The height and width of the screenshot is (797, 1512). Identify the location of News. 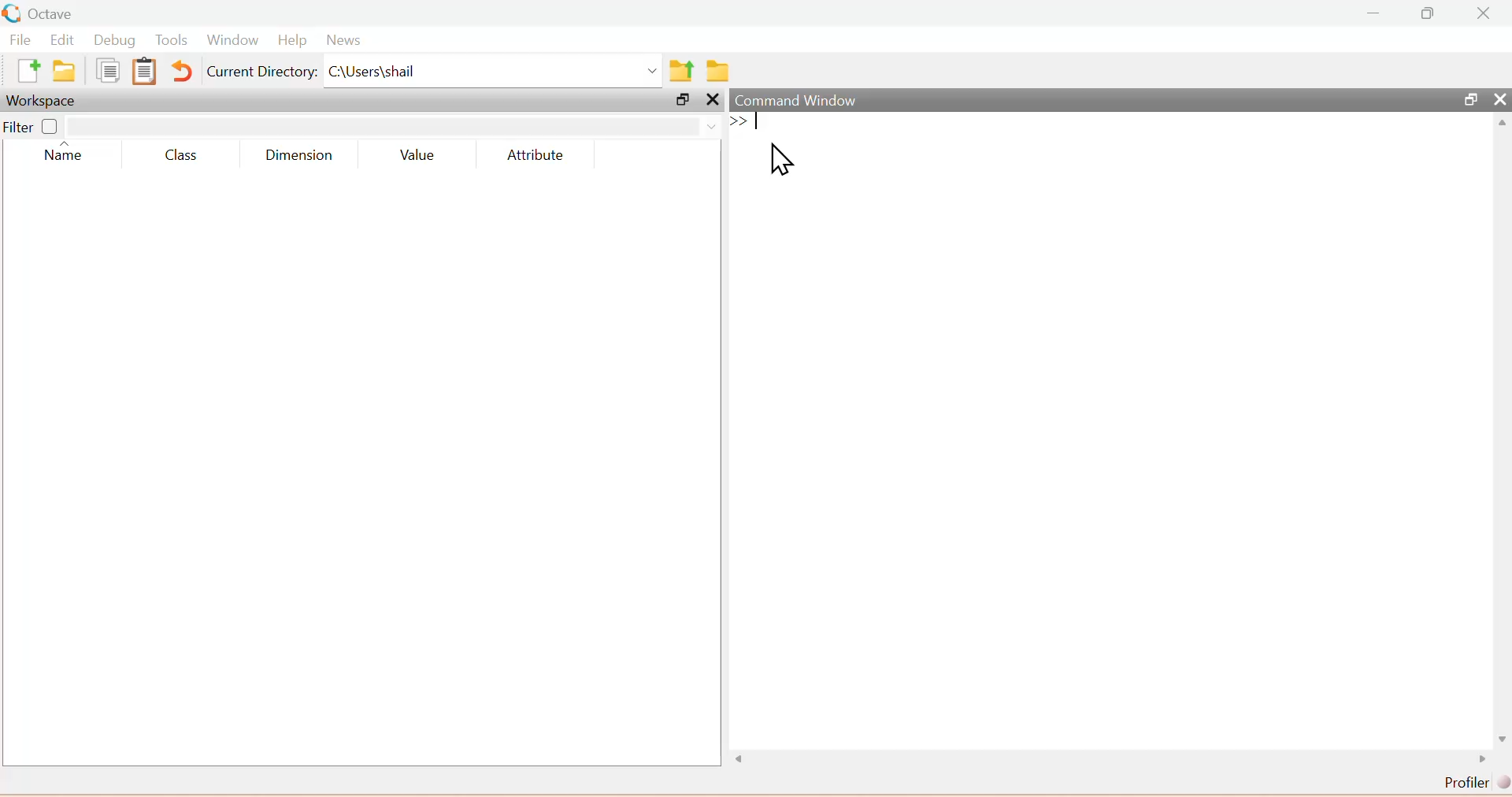
(342, 42).